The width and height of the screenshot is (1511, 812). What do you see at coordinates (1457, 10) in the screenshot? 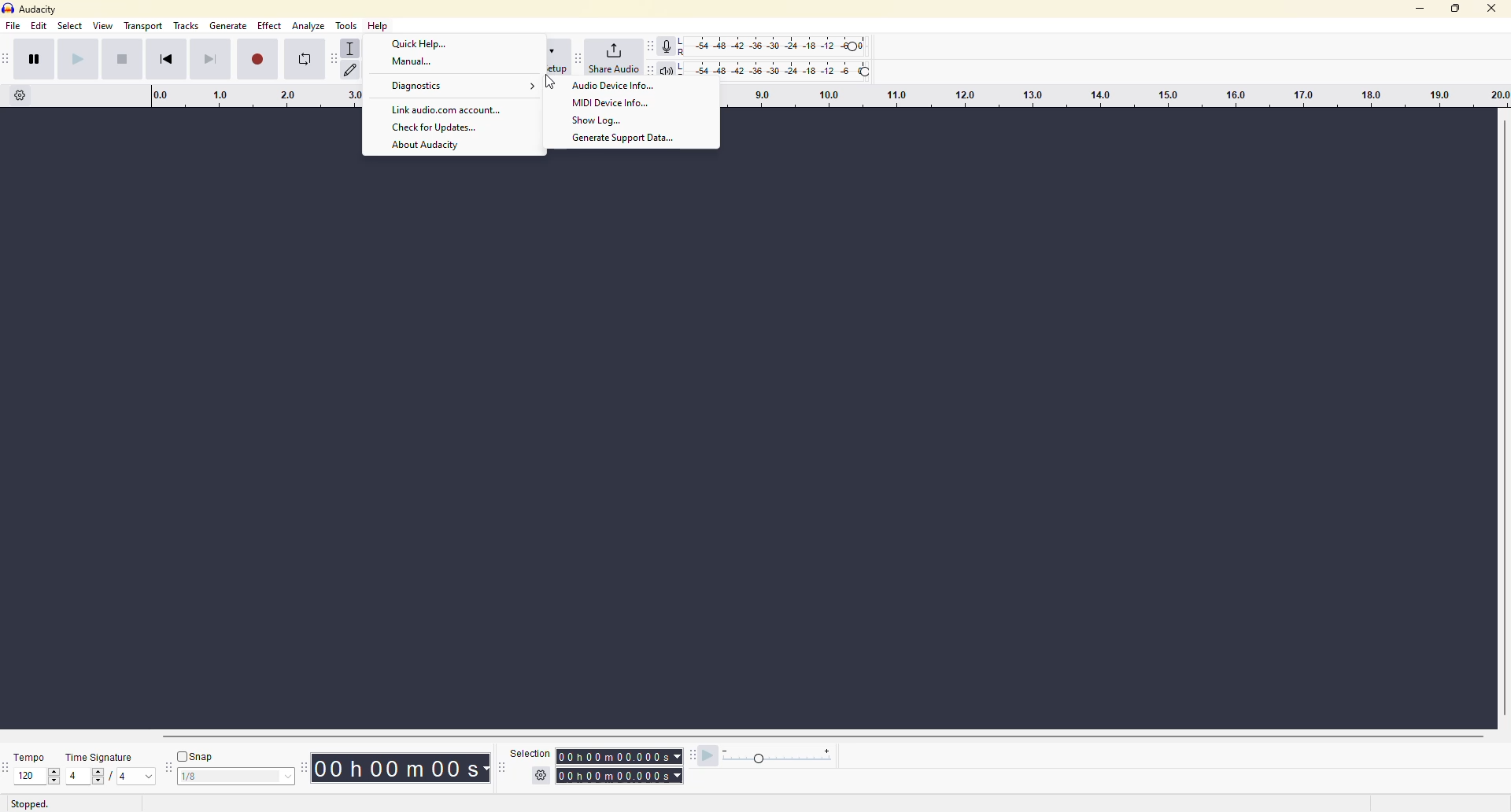
I see `maximize` at bounding box center [1457, 10].